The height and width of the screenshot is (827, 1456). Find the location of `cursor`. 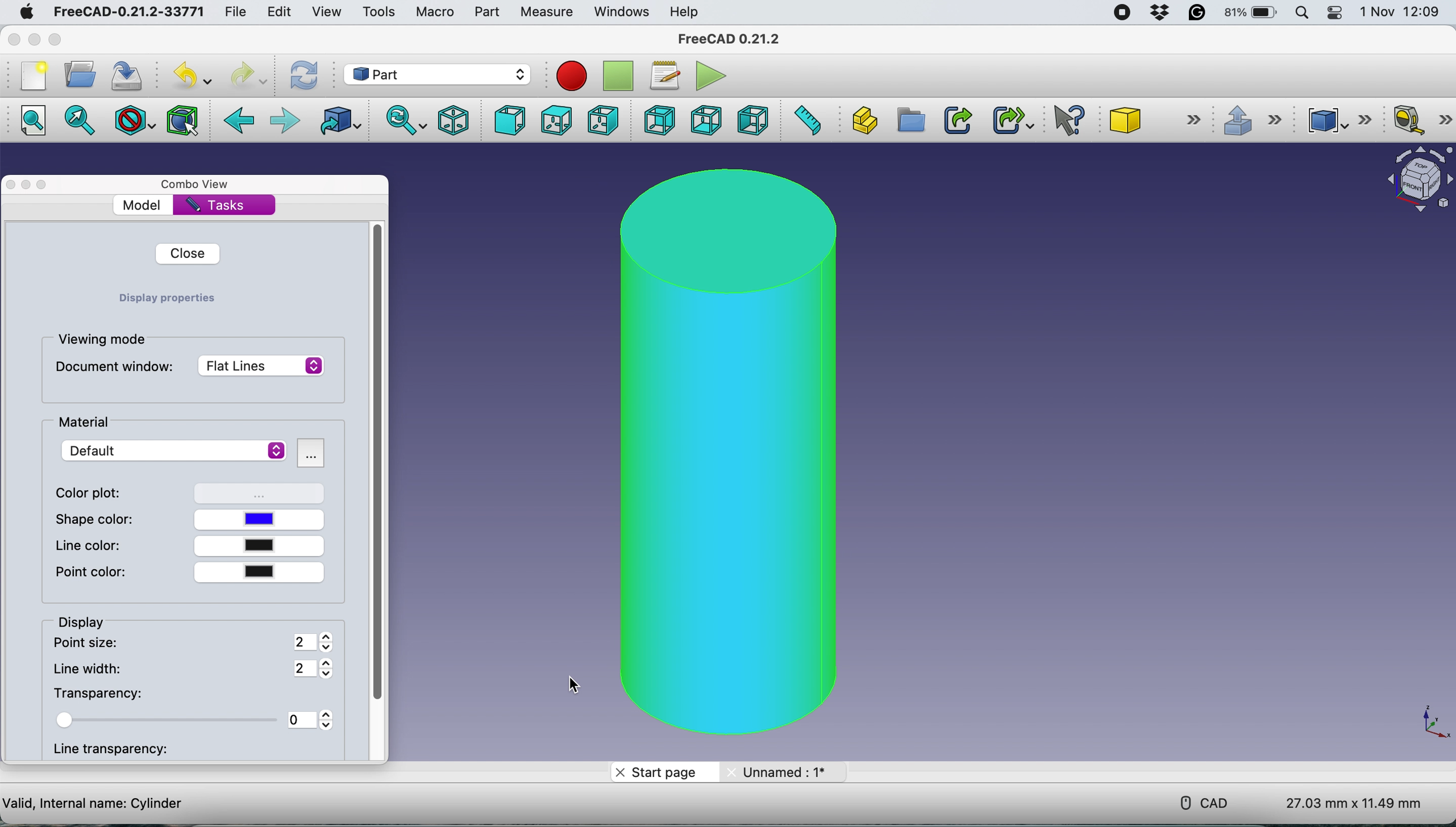

cursor is located at coordinates (573, 678).